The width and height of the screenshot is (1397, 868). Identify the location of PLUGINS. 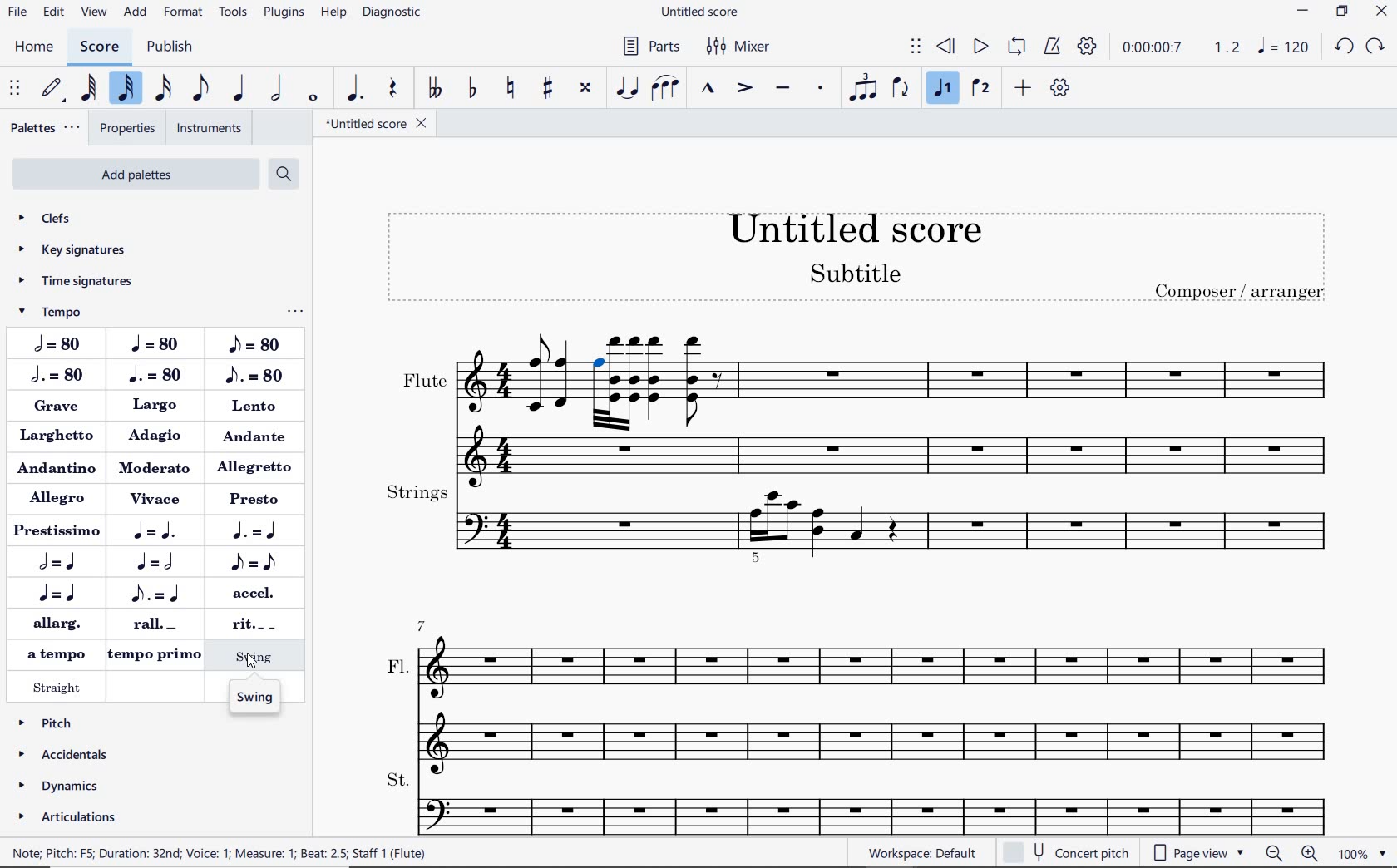
(283, 12).